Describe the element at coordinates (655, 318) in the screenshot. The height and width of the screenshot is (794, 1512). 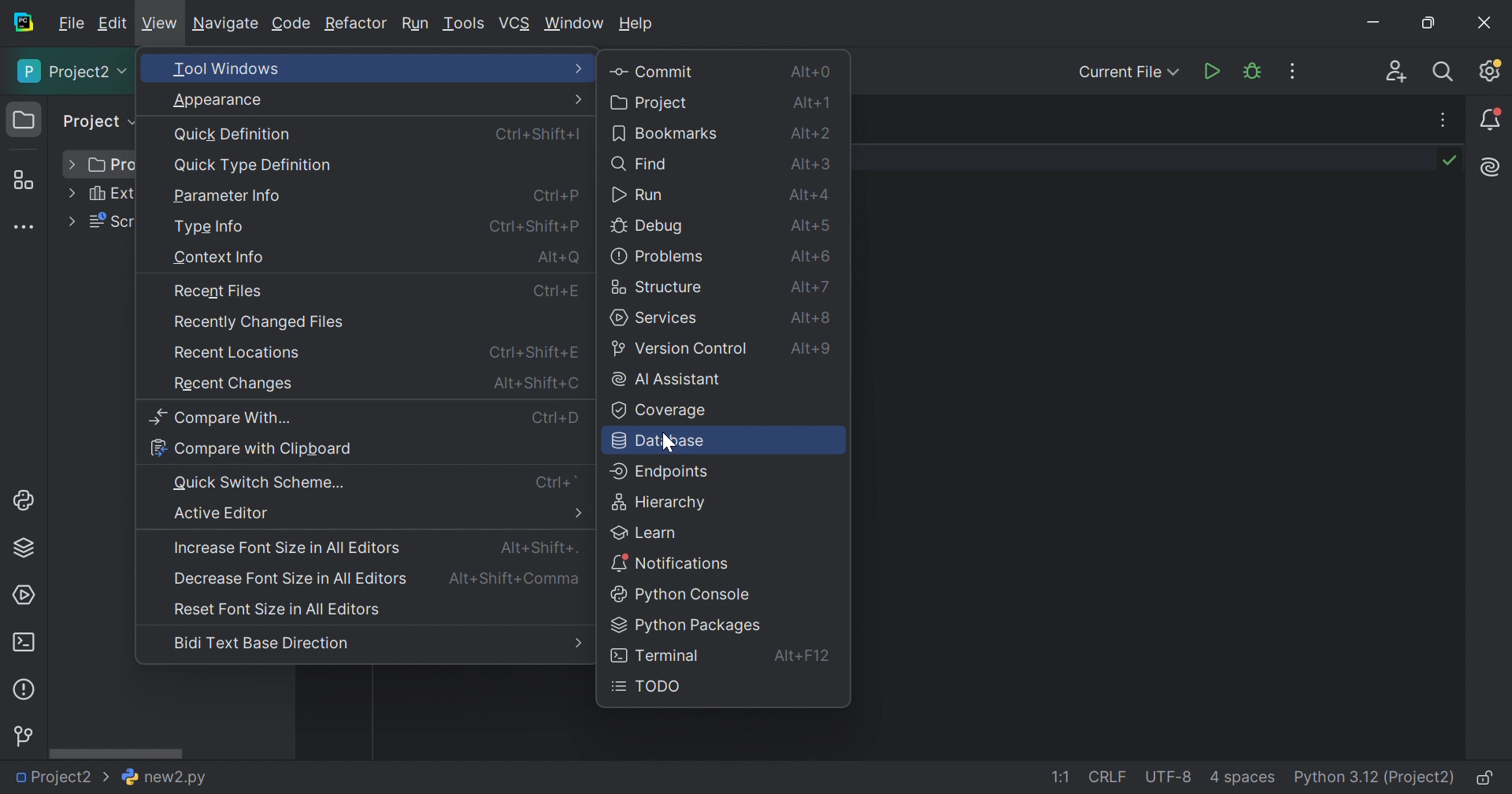
I see `Services` at that location.